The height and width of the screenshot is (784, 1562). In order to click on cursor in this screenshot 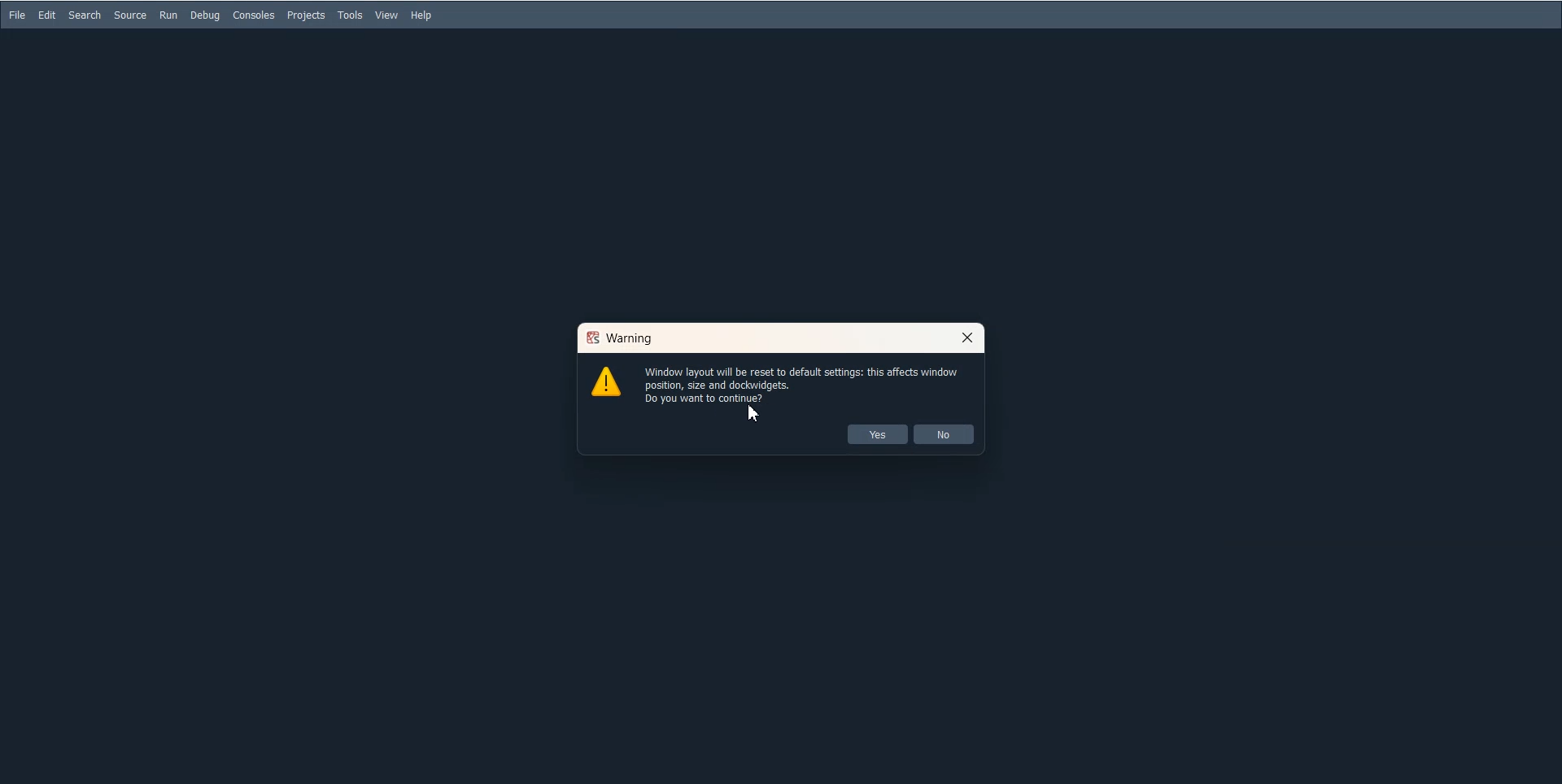, I will do `click(754, 414)`.